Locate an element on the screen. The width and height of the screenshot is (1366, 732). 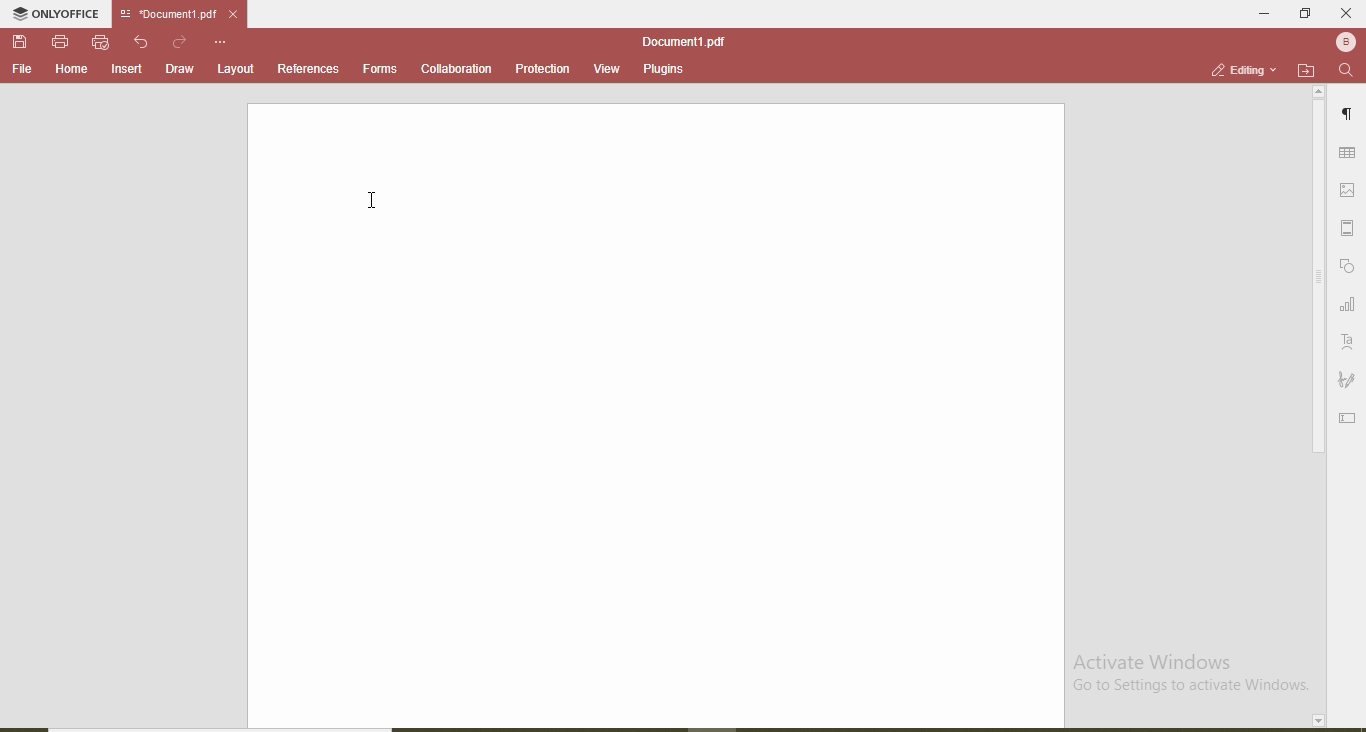
table is located at coordinates (1348, 154).